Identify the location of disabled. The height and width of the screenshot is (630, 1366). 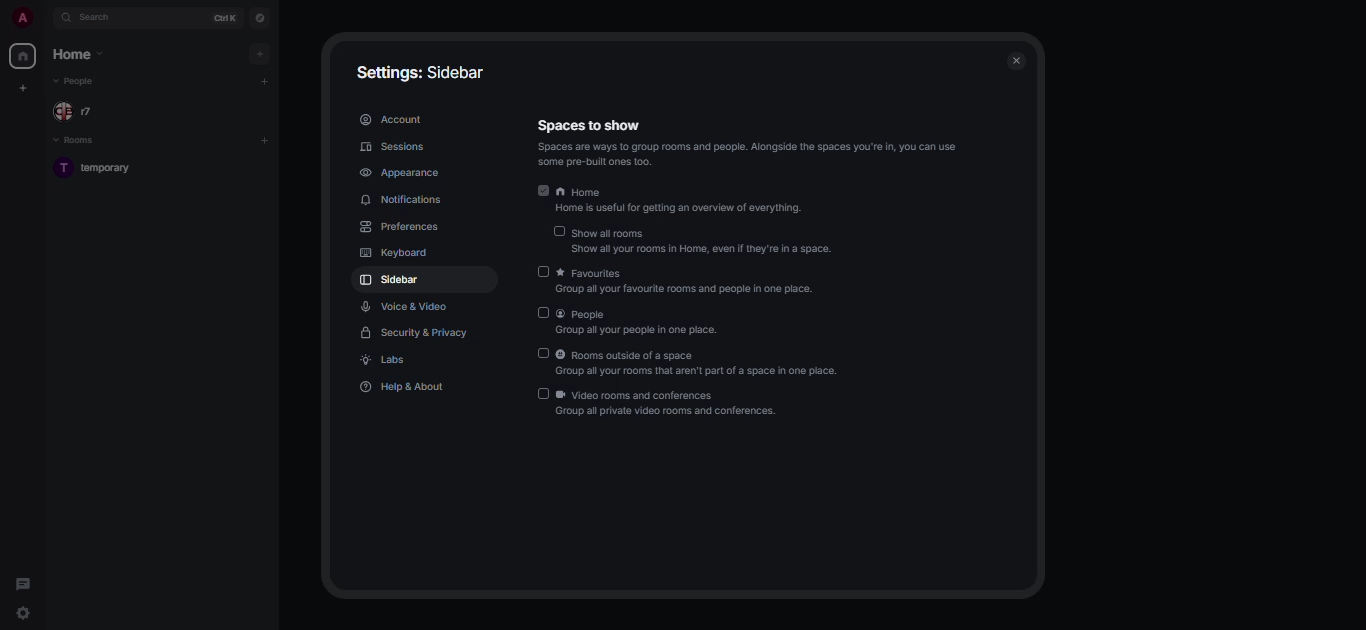
(543, 394).